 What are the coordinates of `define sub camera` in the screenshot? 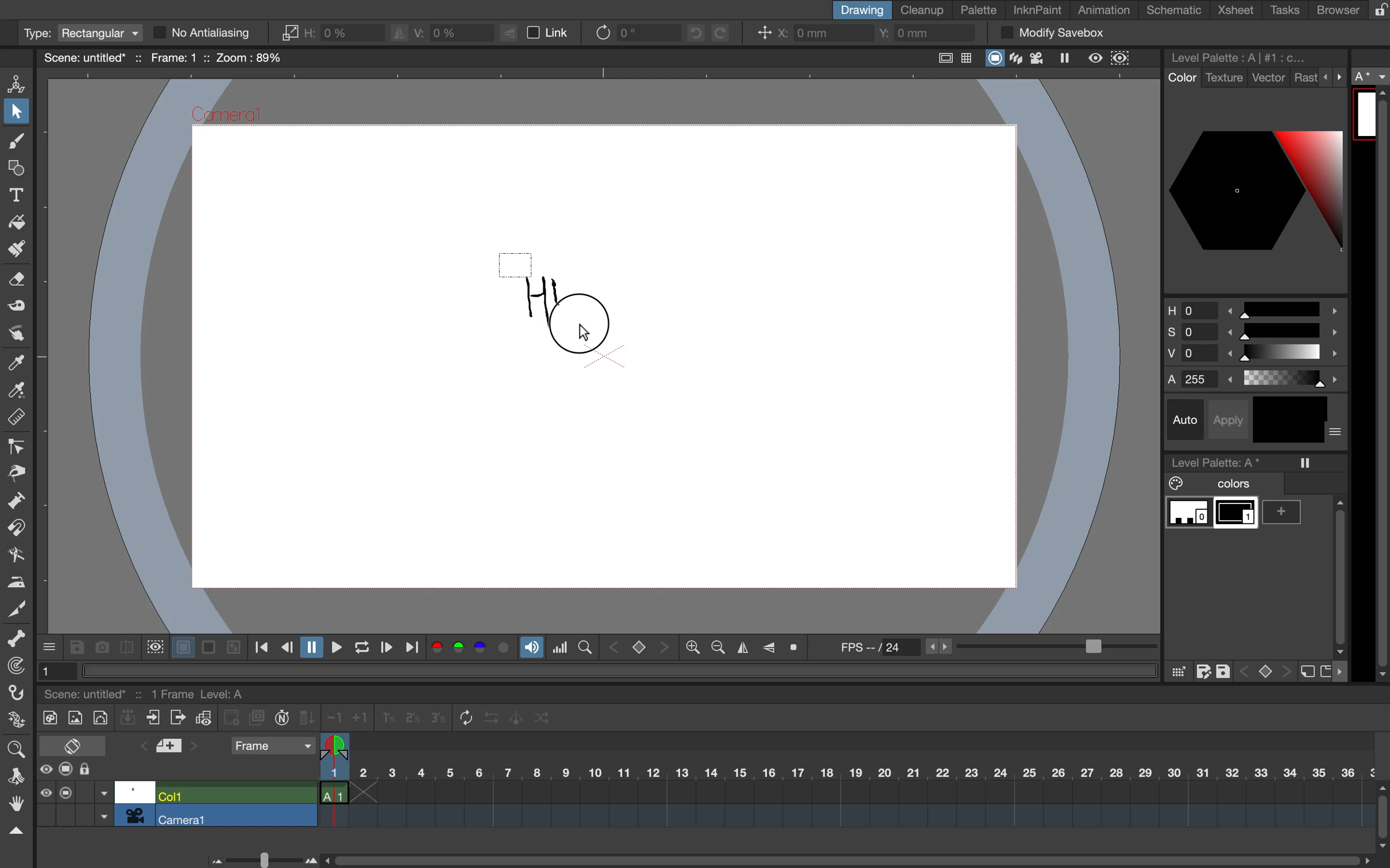 It's located at (153, 646).